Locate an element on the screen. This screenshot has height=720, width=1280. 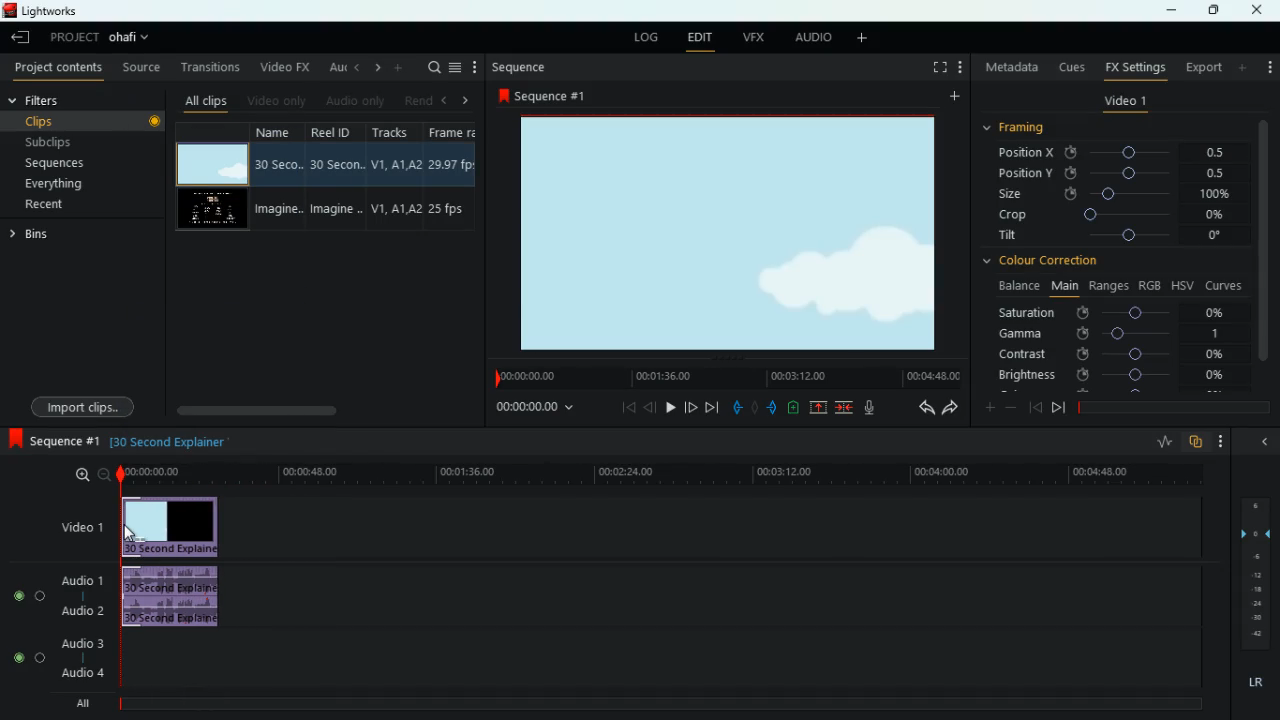
video is located at coordinates (170, 528).